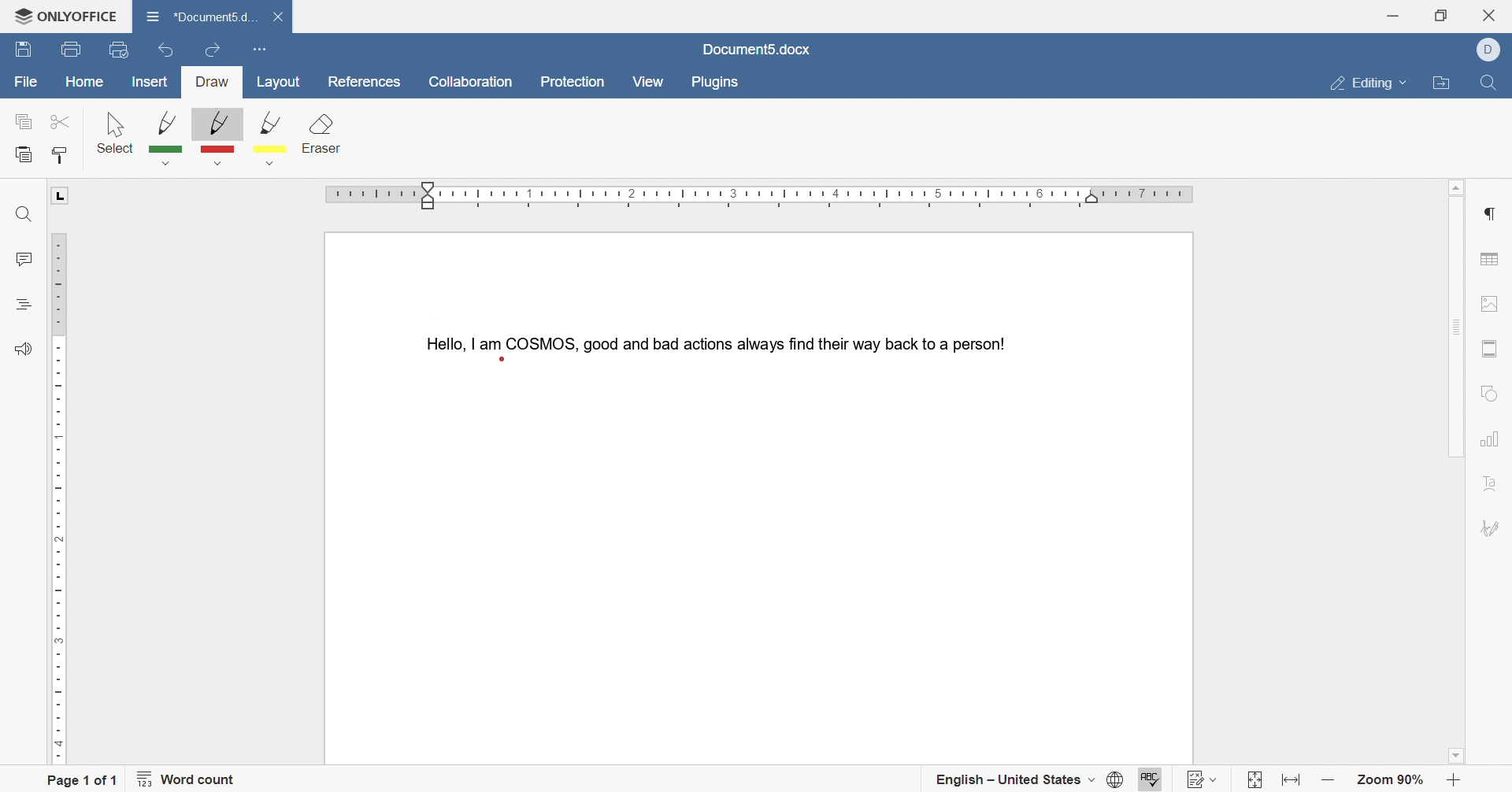  What do you see at coordinates (116, 131) in the screenshot?
I see `select` at bounding box center [116, 131].